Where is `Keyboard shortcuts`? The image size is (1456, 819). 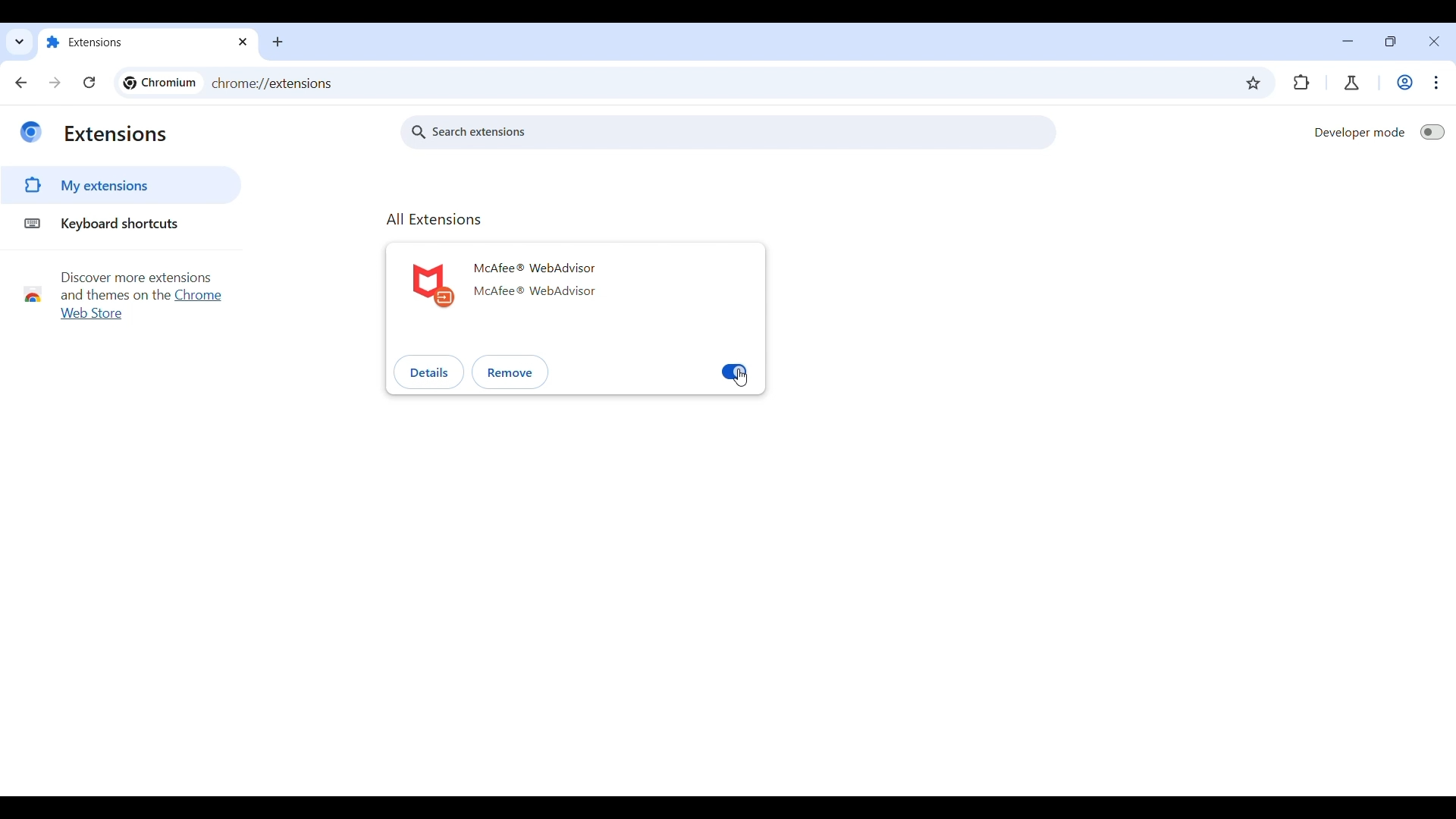
Keyboard shortcuts is located at coordinates (105, 224).